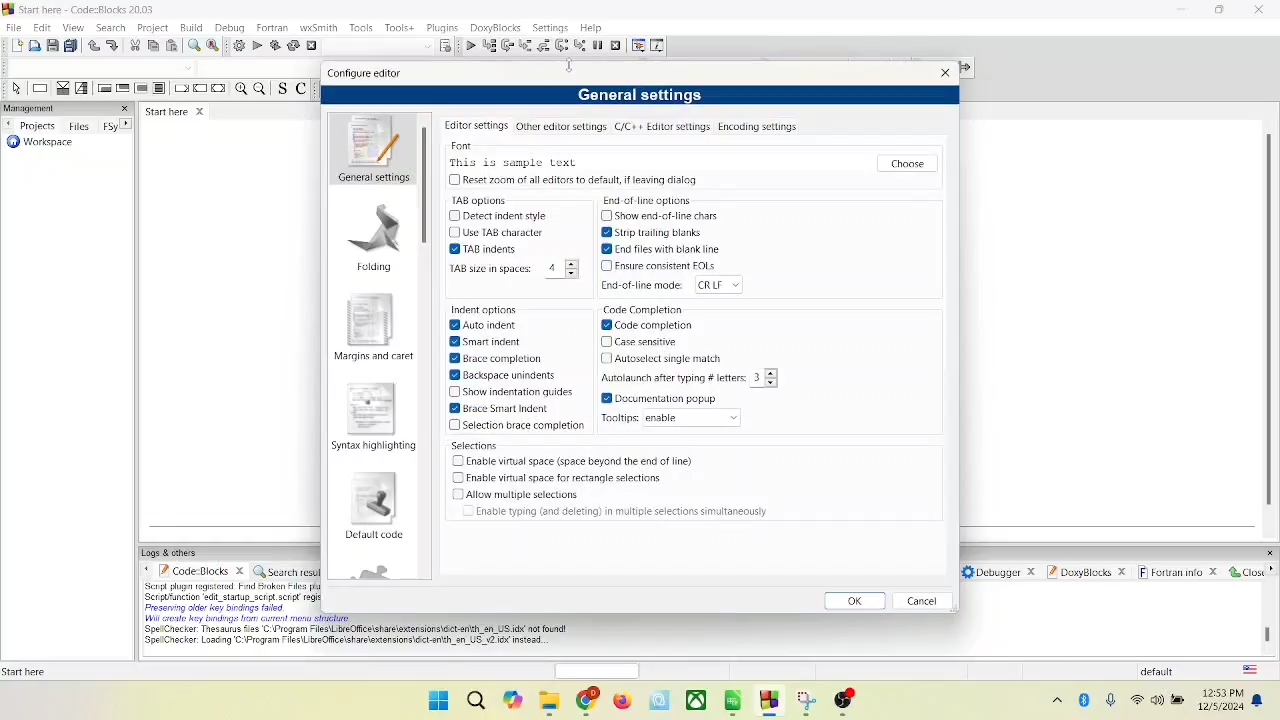 This screenshot has height=720, width=1280. What do you see at coordinates (598, 43) in the screenshot?
I see `break debugger` at bounding box center [598, 43].